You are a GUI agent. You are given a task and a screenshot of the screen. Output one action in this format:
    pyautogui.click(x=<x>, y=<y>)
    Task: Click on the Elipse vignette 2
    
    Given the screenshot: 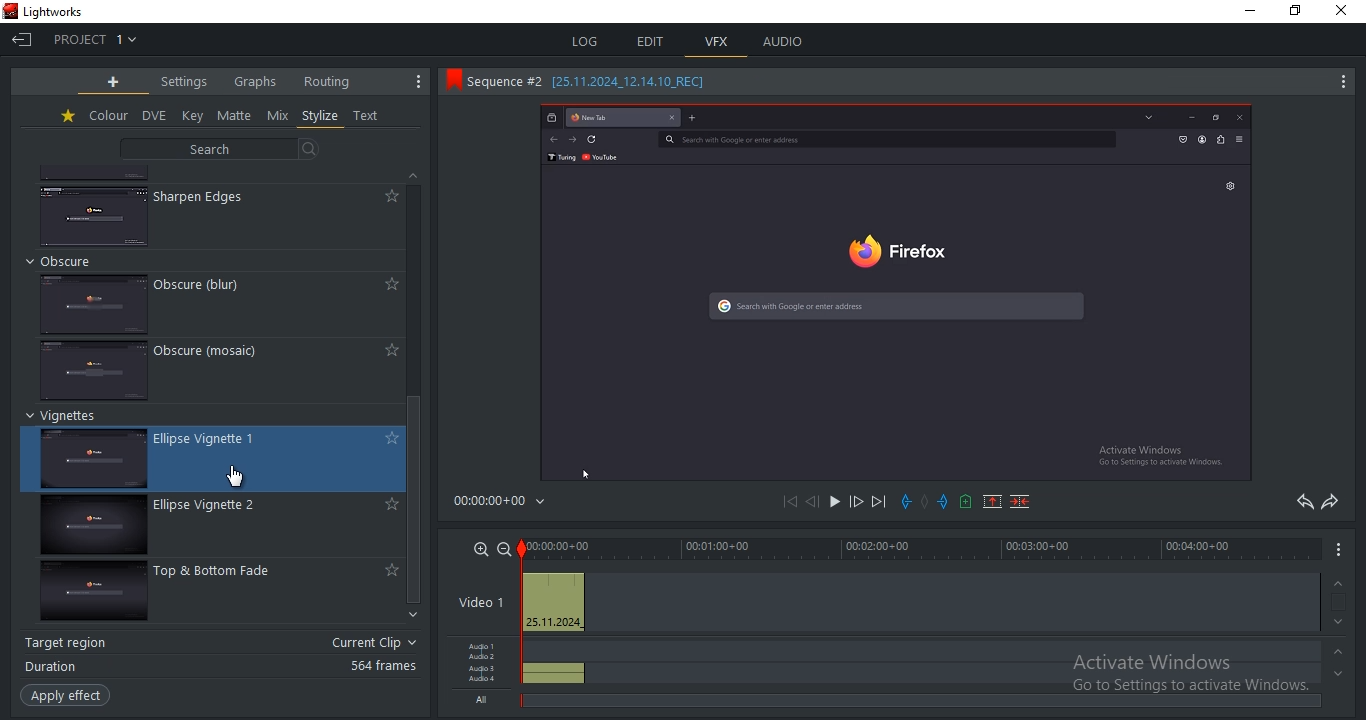 What is the action you would take?
    pyautogui.click(x=221, y=508)
    